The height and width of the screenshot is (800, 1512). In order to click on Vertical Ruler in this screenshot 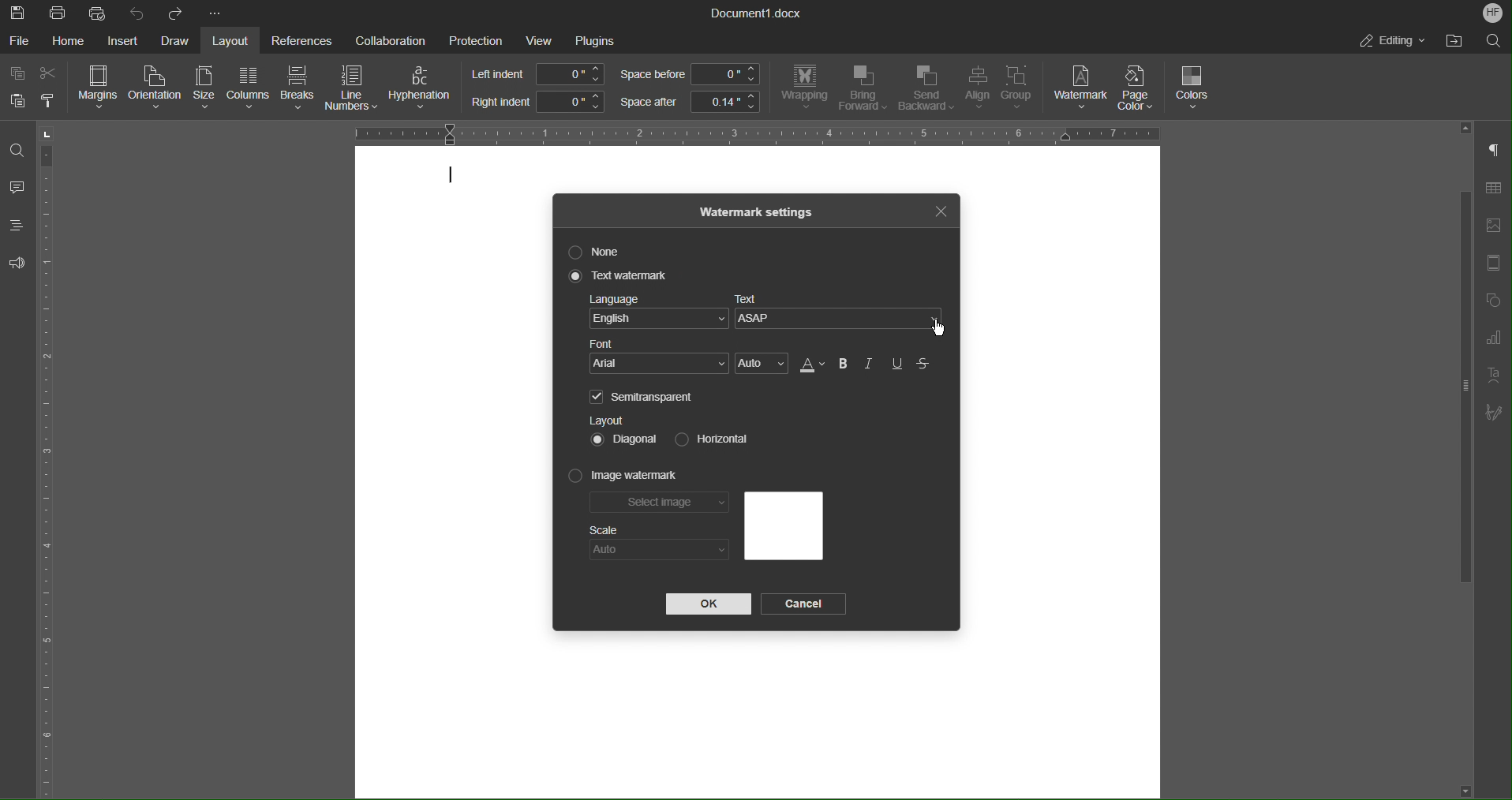, I will do `click(50, 459)`.